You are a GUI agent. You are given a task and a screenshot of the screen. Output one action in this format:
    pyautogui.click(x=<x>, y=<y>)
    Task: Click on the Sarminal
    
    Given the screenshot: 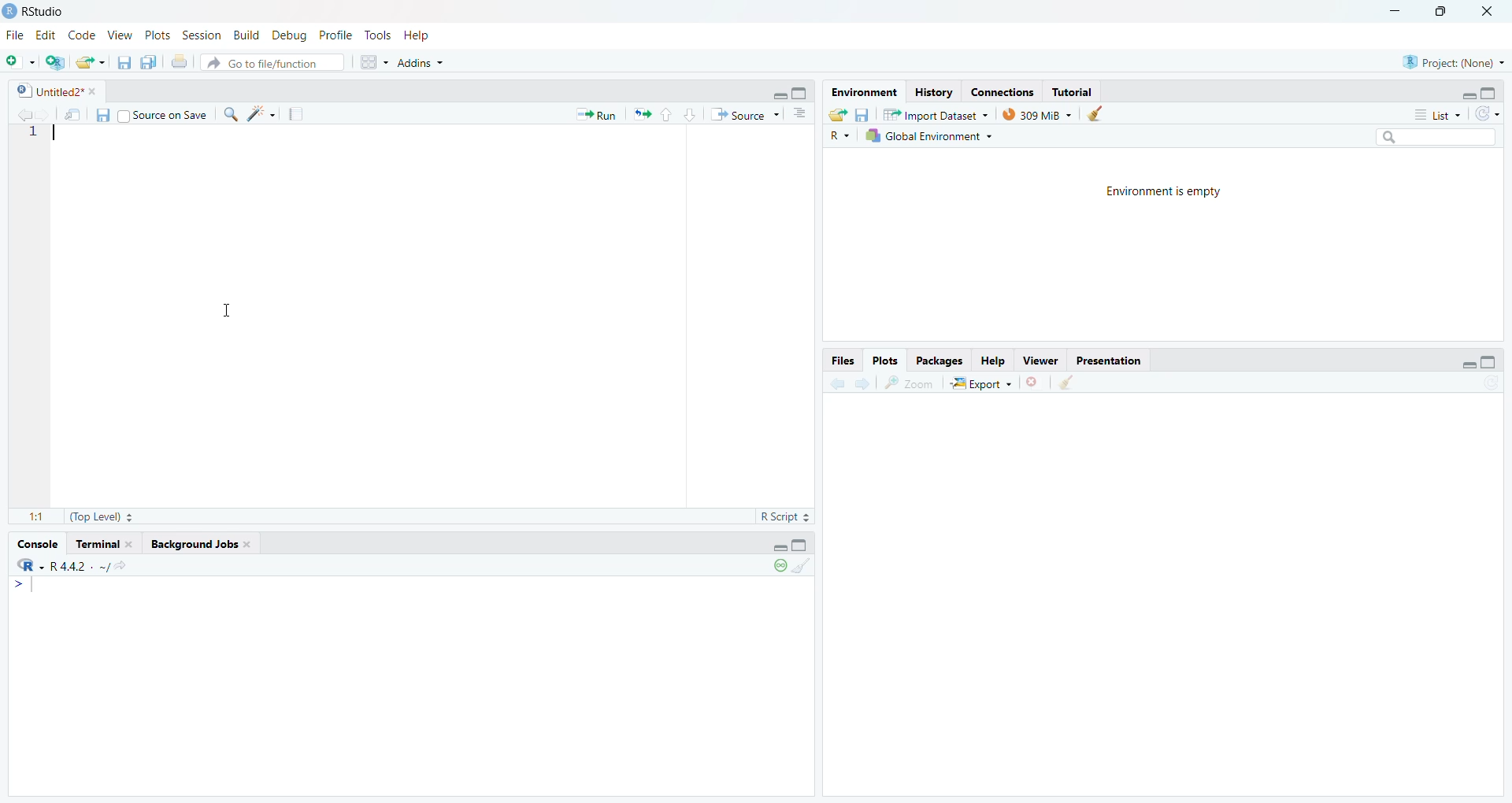 What is the action you would take?
    pyautogui.click(x=104, y=542)
    